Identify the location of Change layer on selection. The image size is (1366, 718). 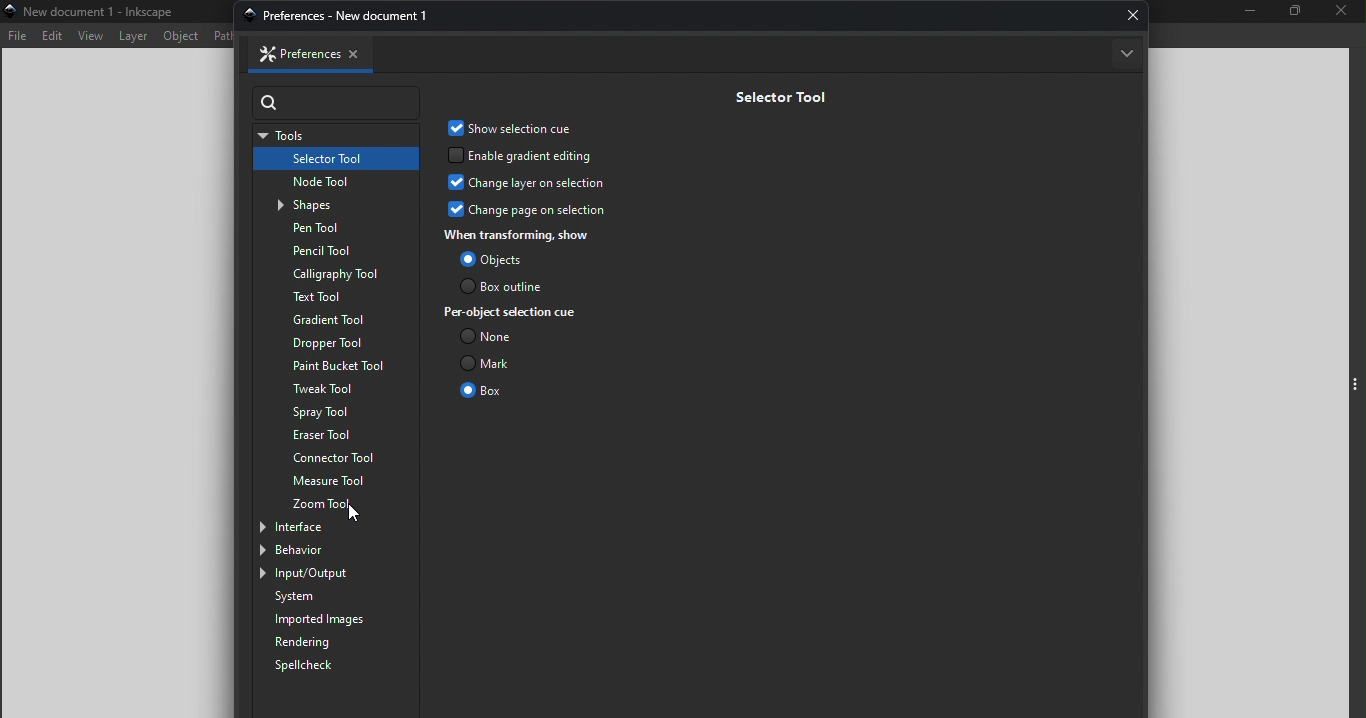
(532, 183).